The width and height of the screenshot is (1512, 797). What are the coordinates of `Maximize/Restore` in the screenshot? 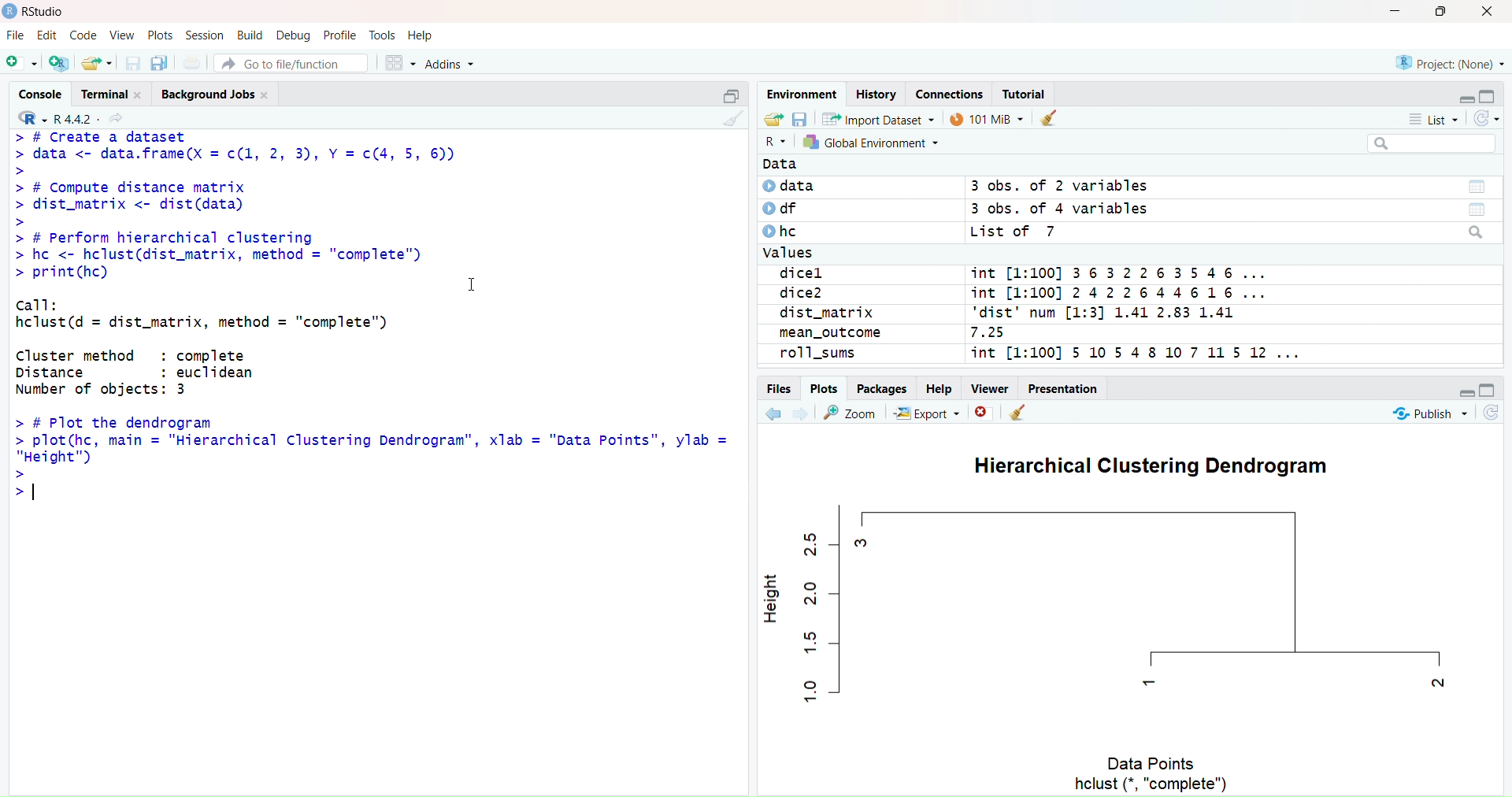 It's located at (1446, 13).